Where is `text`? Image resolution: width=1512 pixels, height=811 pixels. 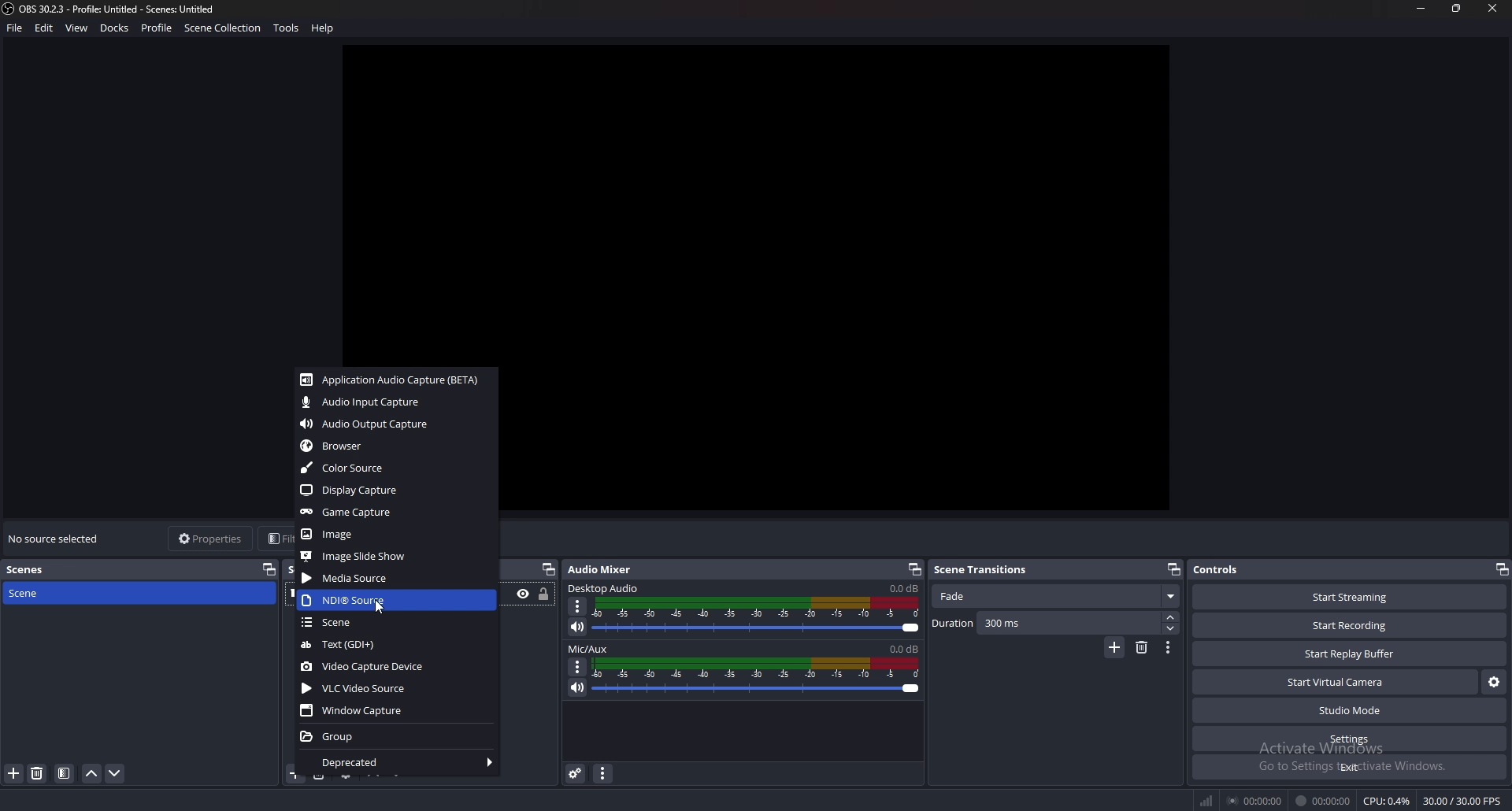
text is located at coordinates (395, 644).